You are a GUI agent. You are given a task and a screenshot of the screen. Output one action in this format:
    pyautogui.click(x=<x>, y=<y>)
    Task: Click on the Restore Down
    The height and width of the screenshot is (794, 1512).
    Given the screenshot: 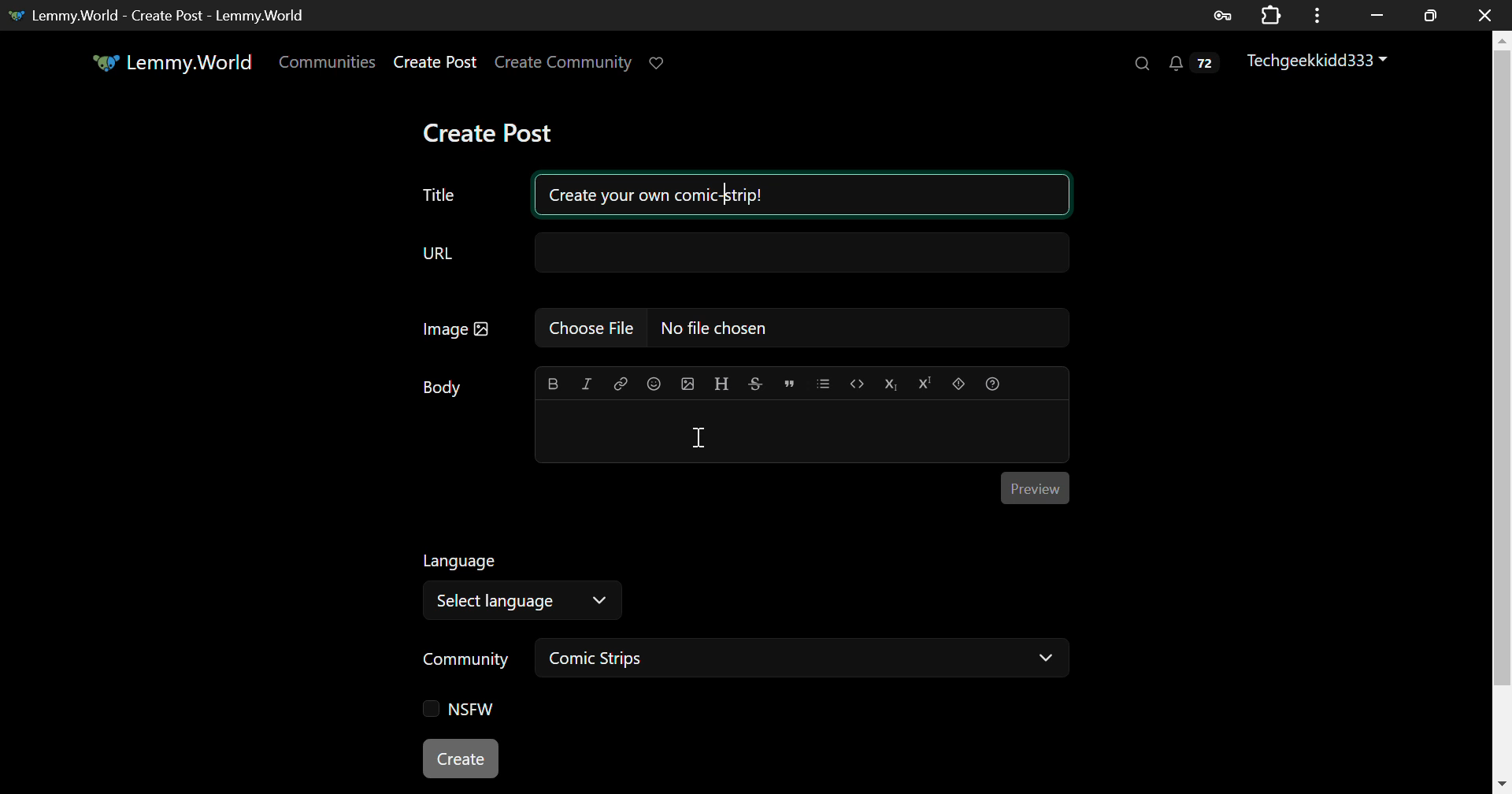 What is the action you would take?
    pyautogui.click(x=1378, y=13)
    